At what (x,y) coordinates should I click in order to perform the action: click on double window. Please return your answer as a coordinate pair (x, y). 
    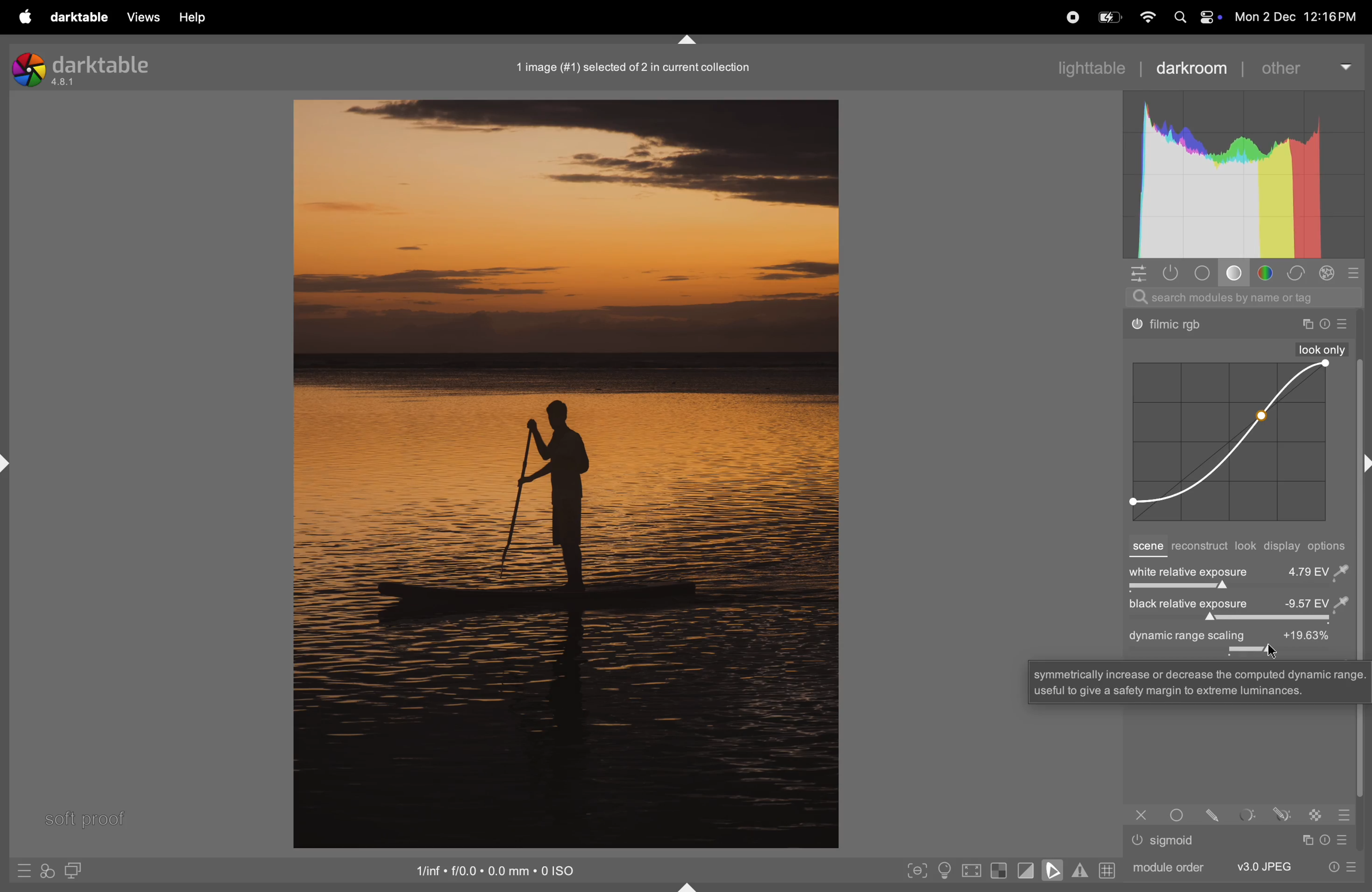
    Looking at the image, I should click on (71, 872).